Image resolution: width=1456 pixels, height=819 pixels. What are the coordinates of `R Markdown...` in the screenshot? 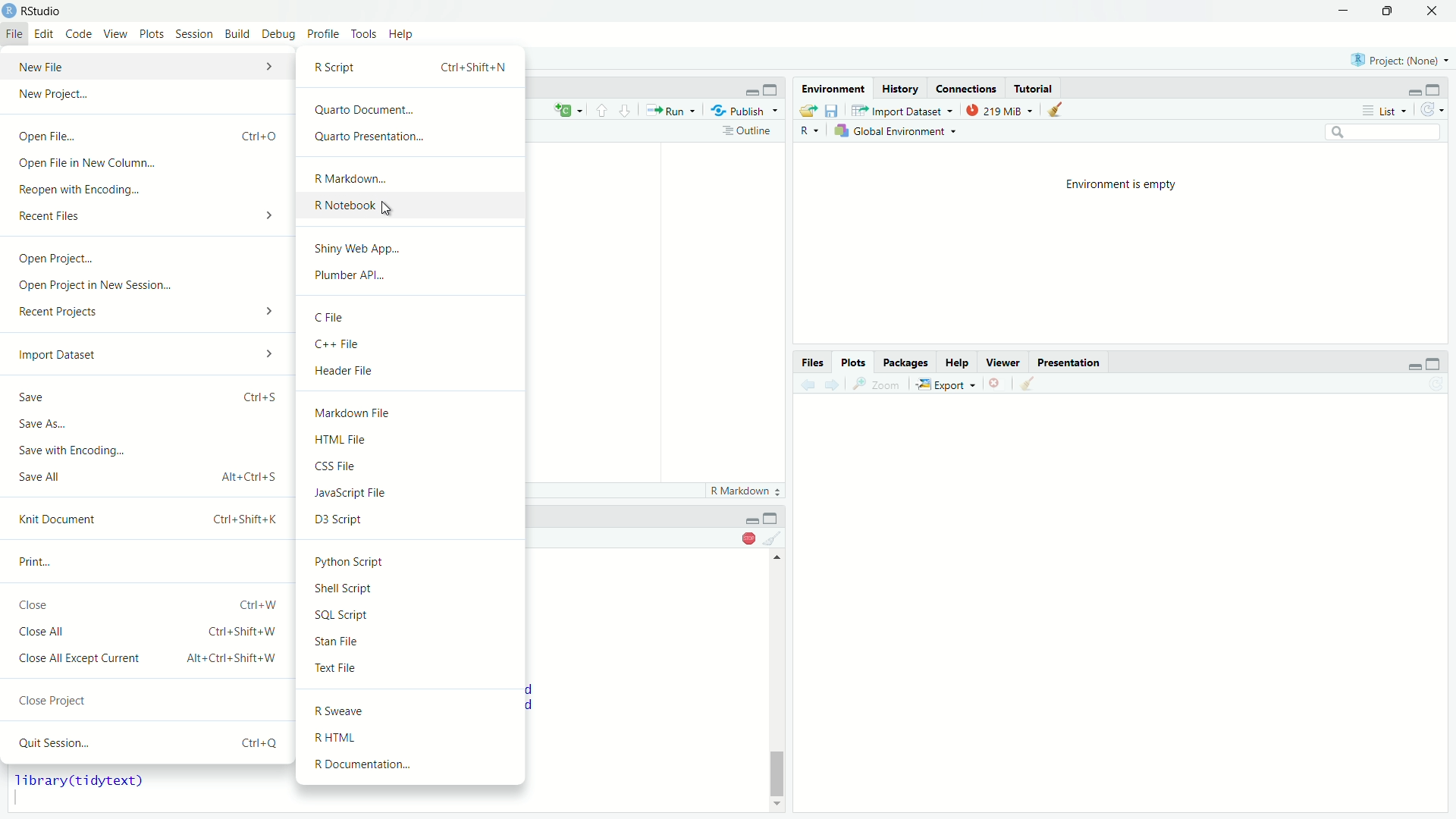 It's located at (413, 178).